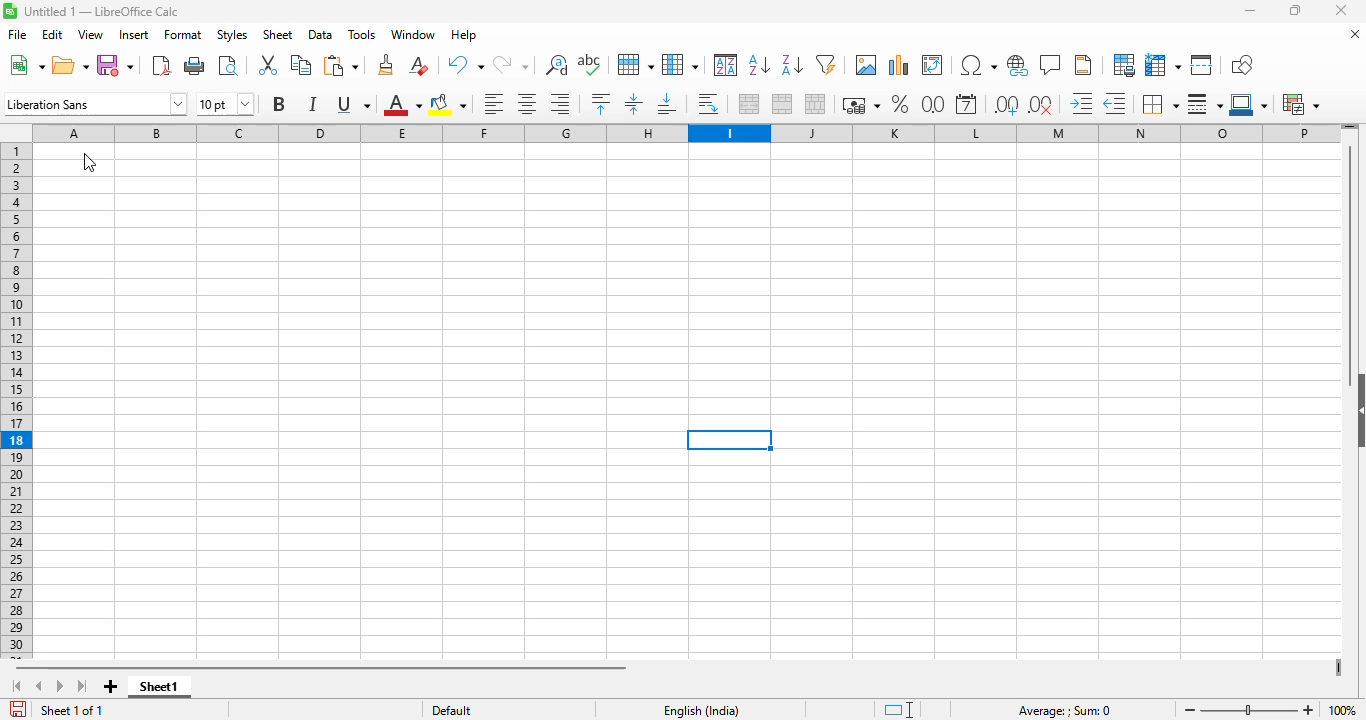 The image size is (1366, 720). What do you see at coordinates (933, 65) in the screenshot?
I see `insert or edit pivot table` at bounding box center [933, 65].